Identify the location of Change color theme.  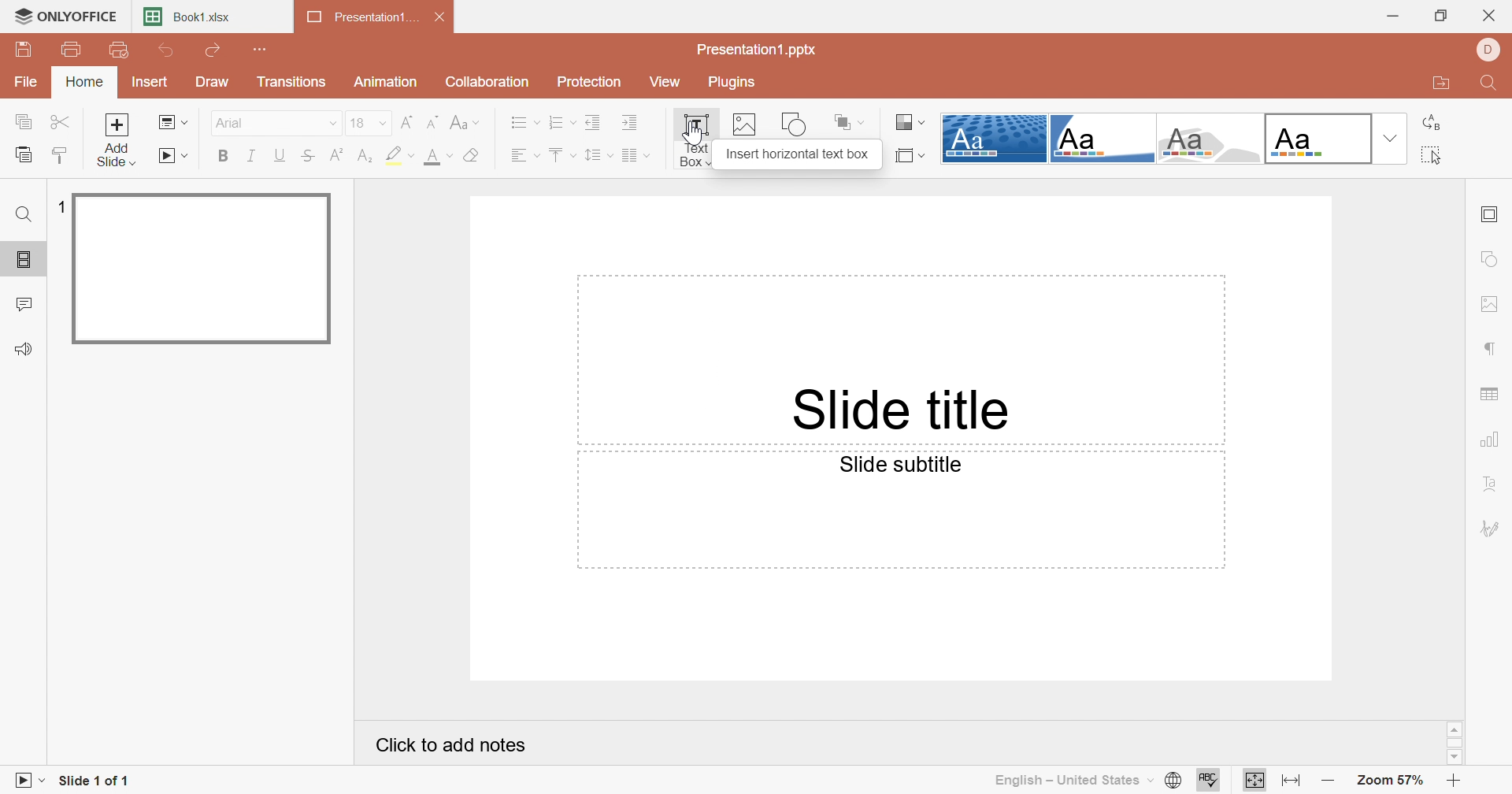
(912, 123).